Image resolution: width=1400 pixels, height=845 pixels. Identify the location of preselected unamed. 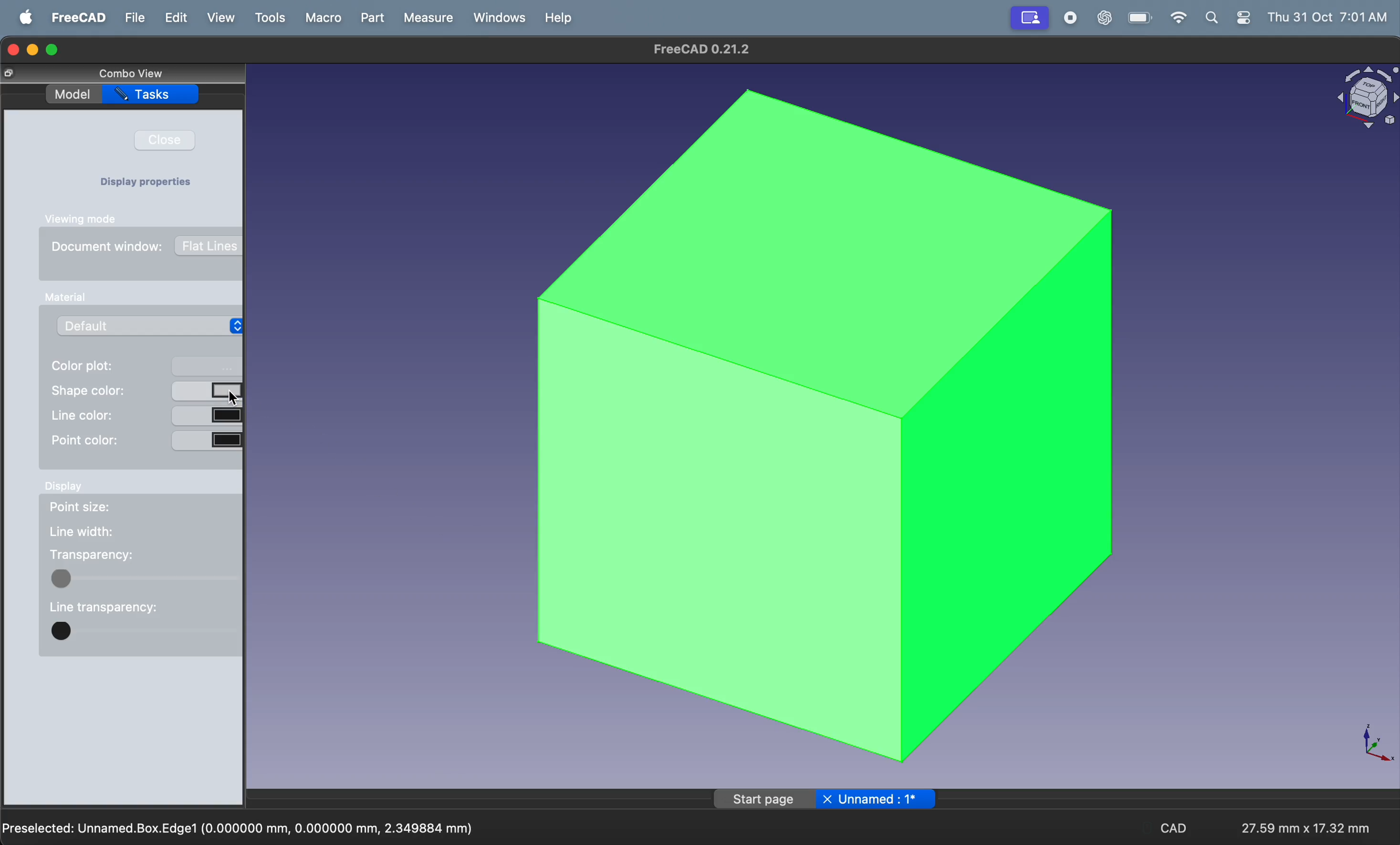
(240, 826).